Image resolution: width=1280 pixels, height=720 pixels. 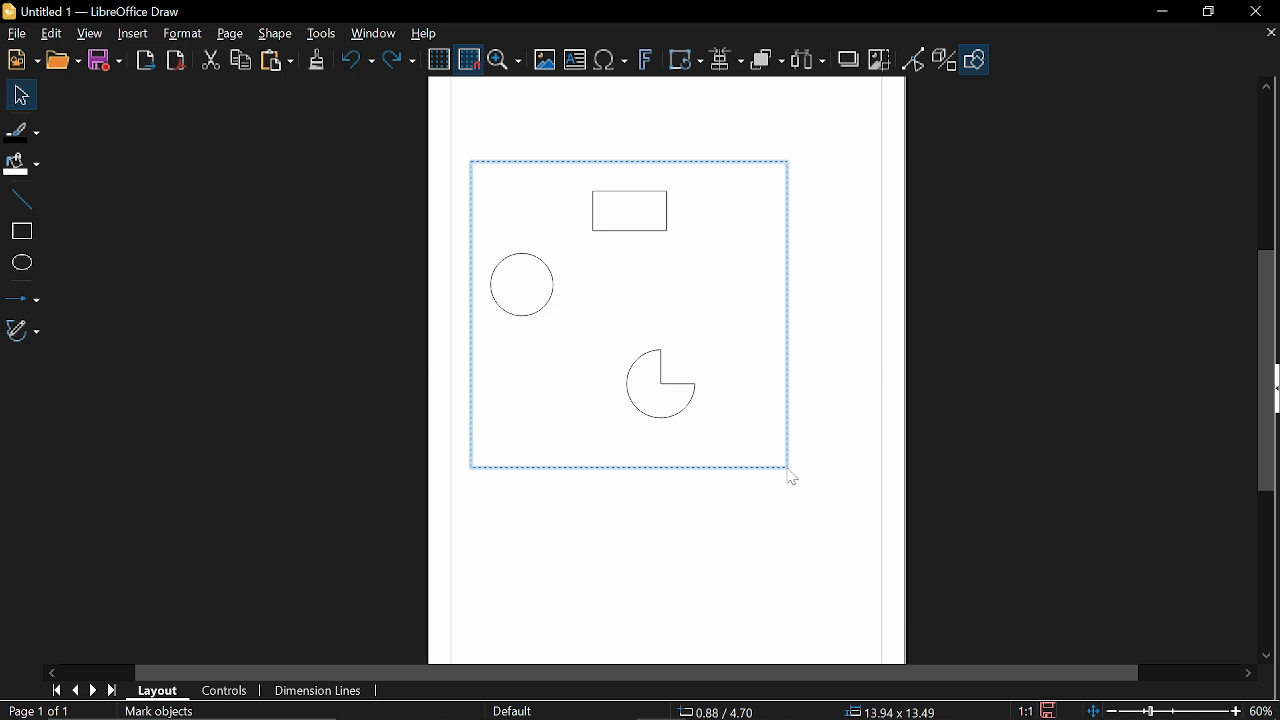 What do you see at coordinates (50, 35) in the screenshot?
I see `Edit` at bounding box center [50, 35].